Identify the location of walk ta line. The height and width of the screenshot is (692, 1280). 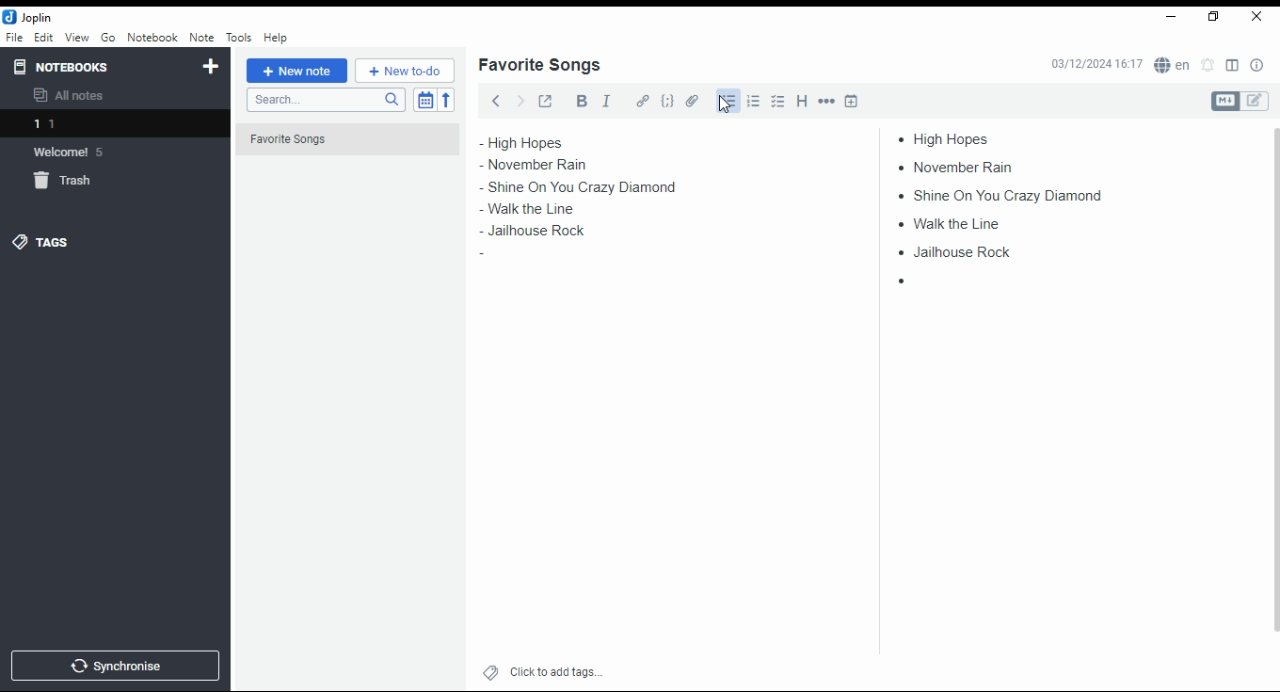
(520, 210).